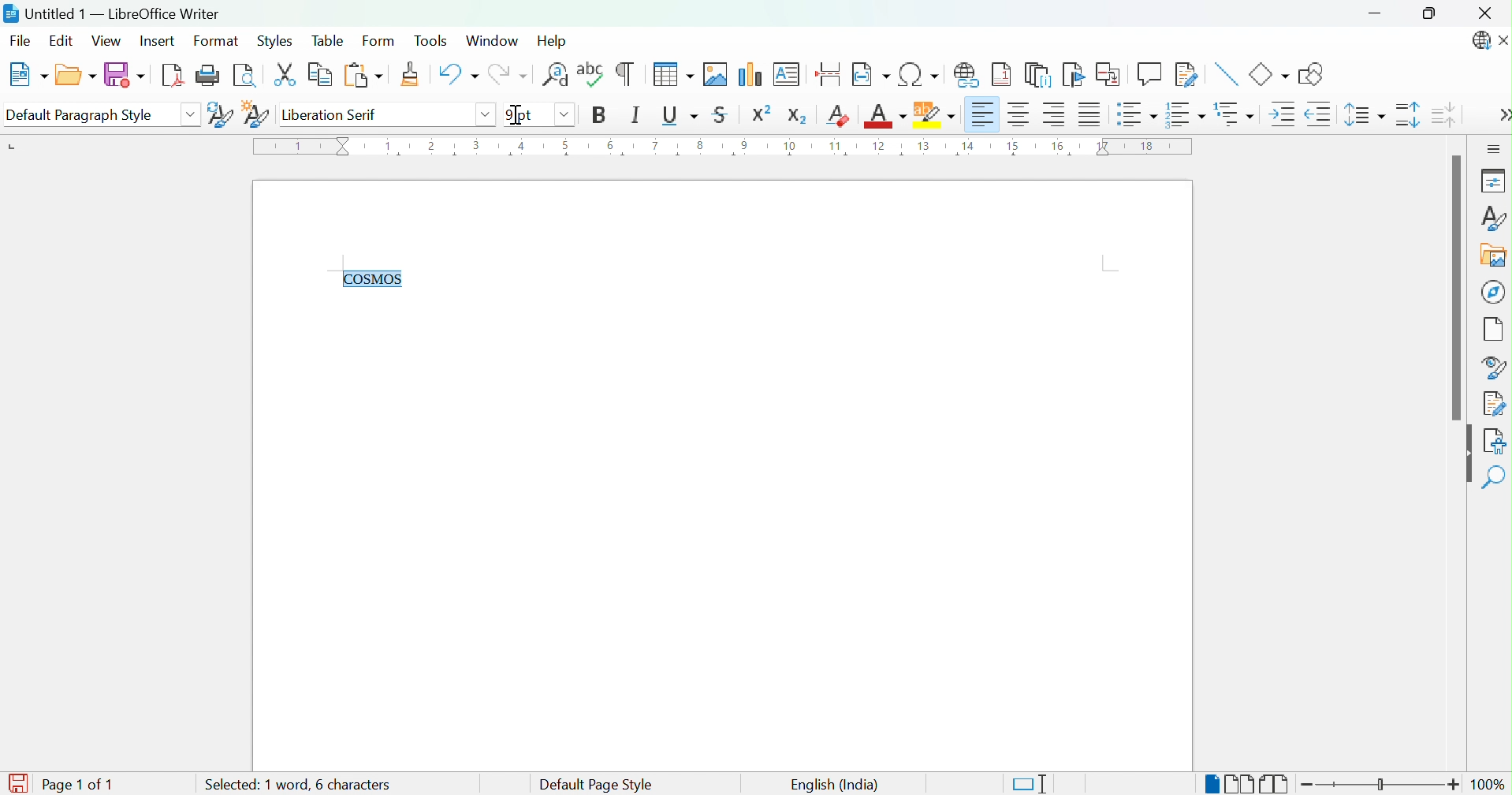 The image size is (1512, 795). I want to click on Toggle Formatting Marks, so click(625, 73).